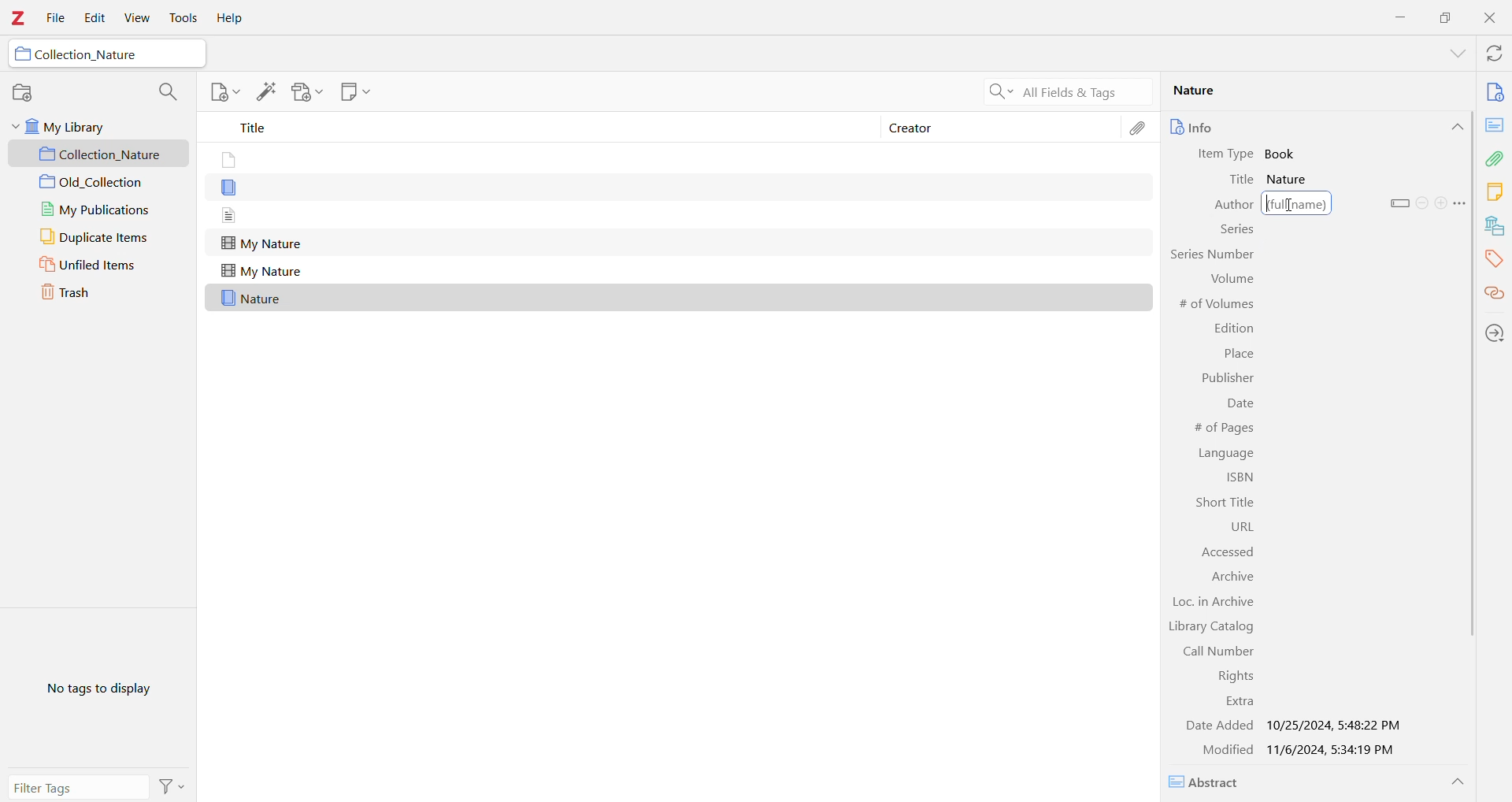 This screenshot has height=802, width=1512. What do you see at coordinates (261, 272) in the screenshot?
I see `My Nature` at bounding box center [261, 272].